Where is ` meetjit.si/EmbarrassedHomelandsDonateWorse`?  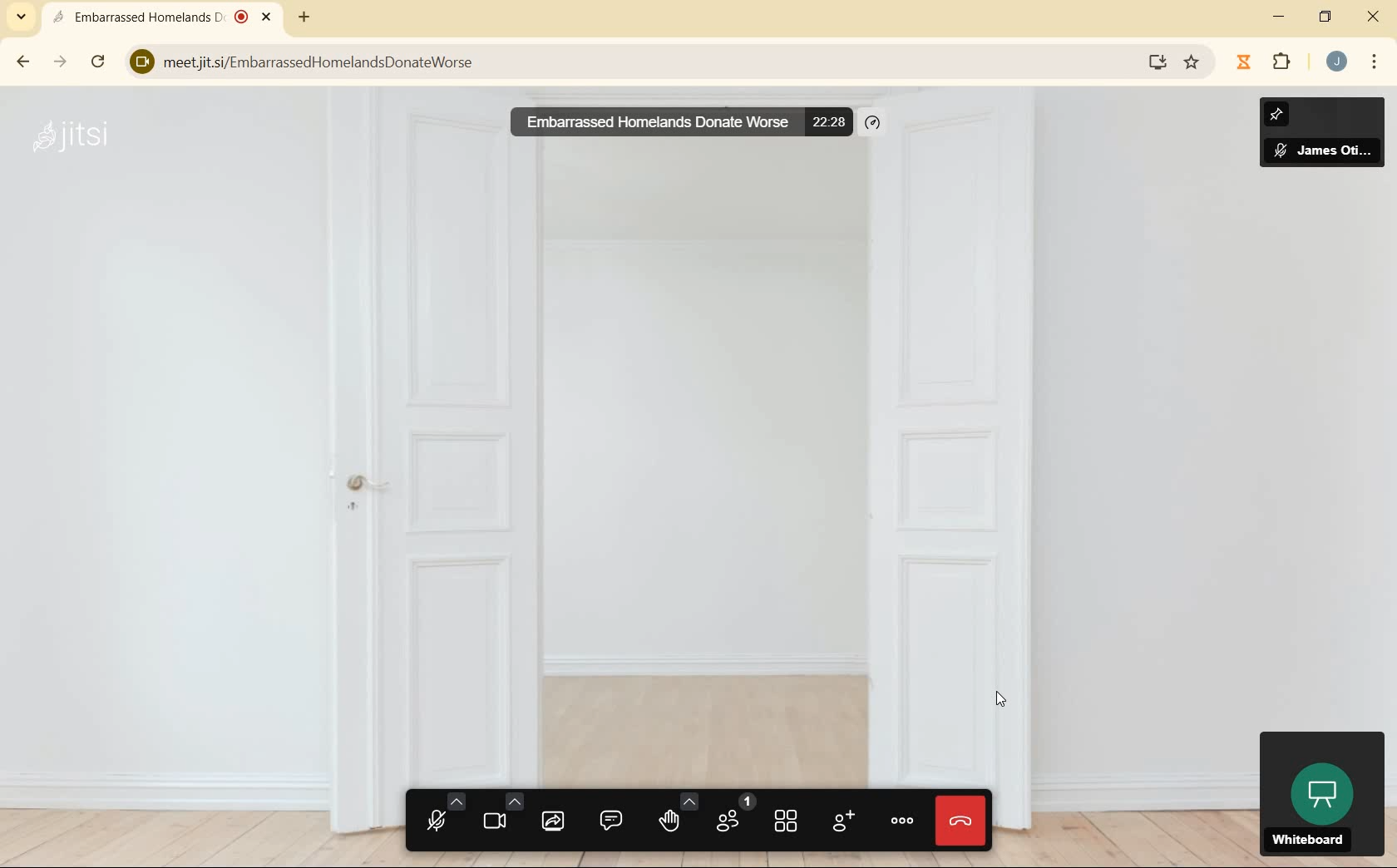  meetjit.si/EmbarrassedHomelandsDonateWorse is located at coordinates (620, 58).